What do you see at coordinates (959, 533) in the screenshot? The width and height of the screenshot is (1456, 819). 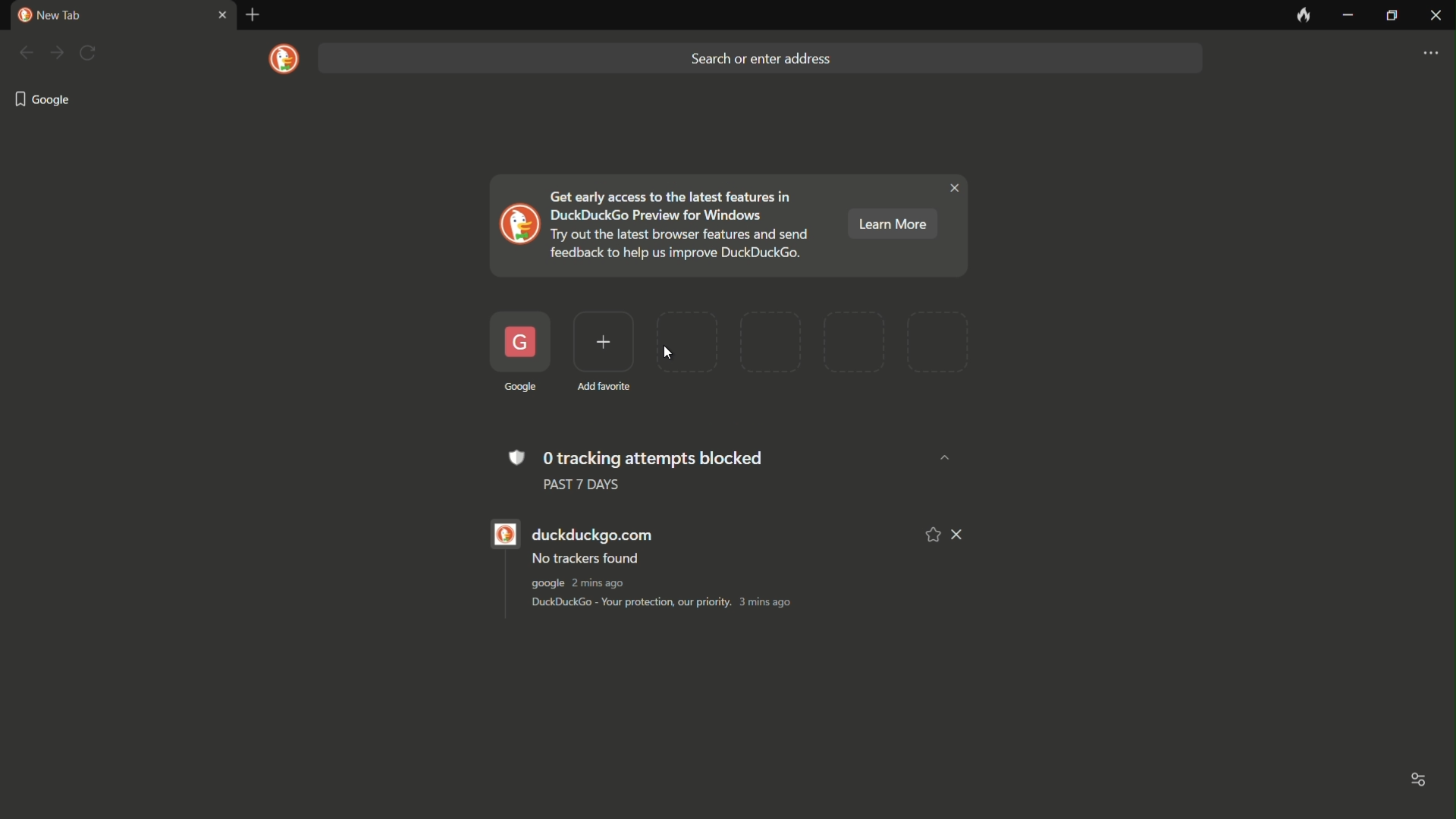 I see `remove from list` at bounding box center [959, 533].